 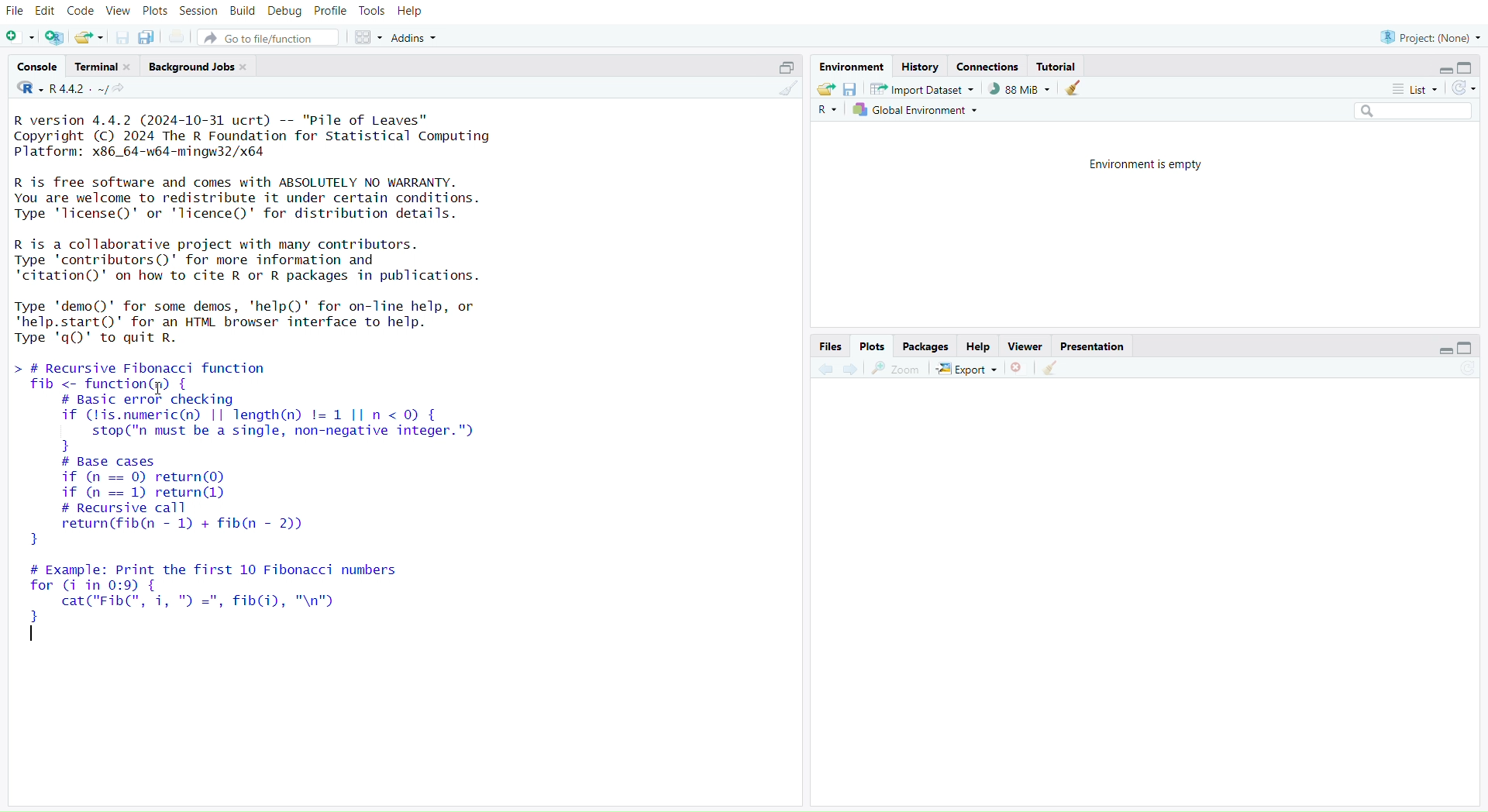 What do you see at coordinates (48, 12) in the screenshot?
I see `edit` at bounding box center [48, 12].